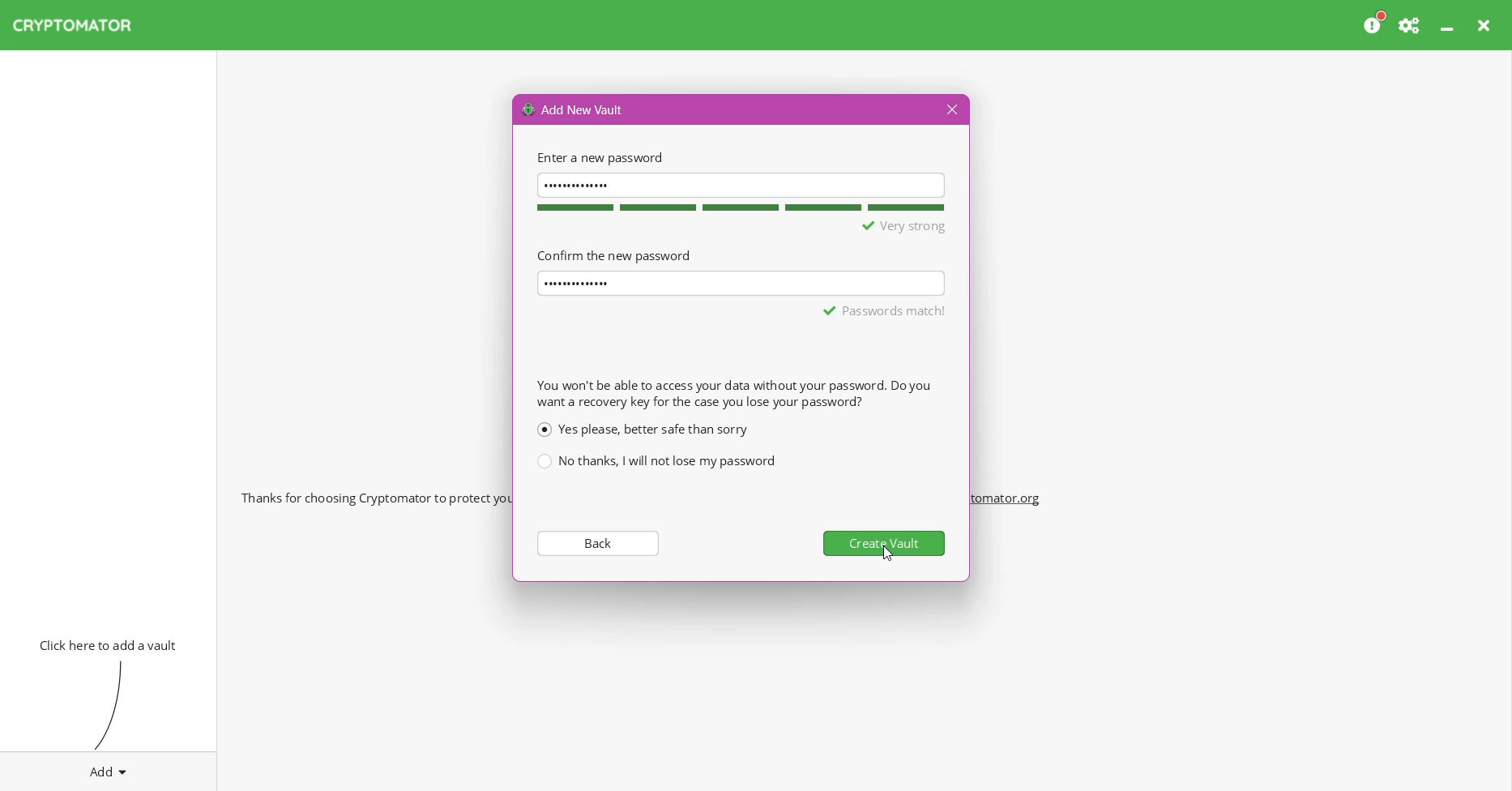  What do you see at coordinates (738, 207) in the screenshot?
I see `Password strength` at bounding box center [738, 207].